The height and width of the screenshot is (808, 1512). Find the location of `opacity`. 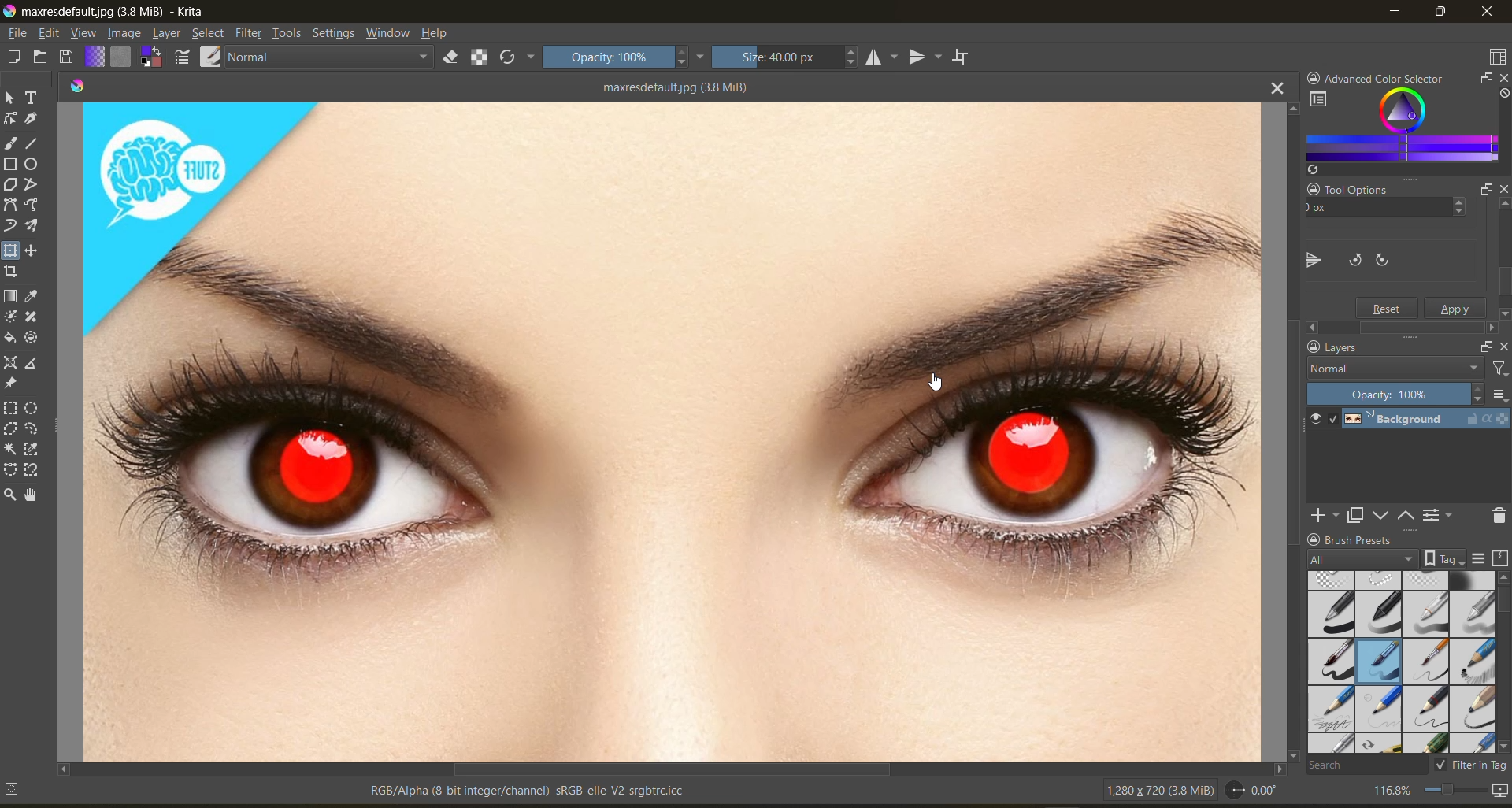

opacity is located at coordinates (1397, 394).